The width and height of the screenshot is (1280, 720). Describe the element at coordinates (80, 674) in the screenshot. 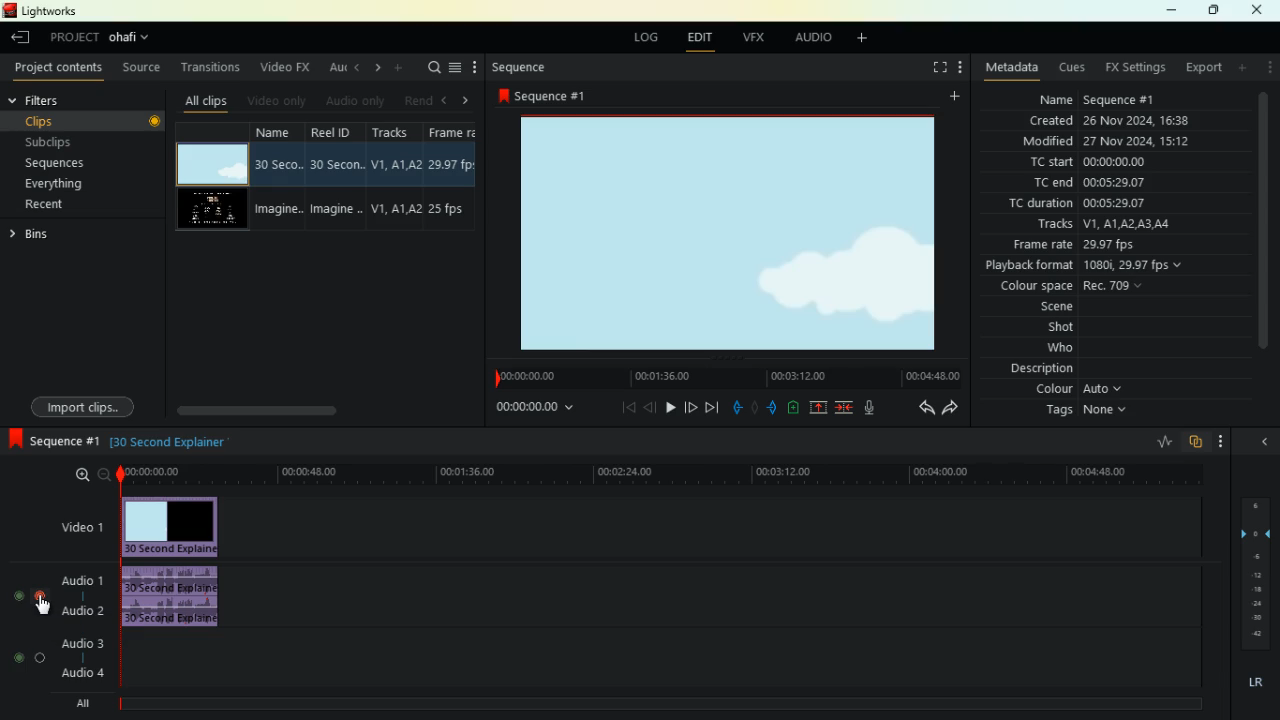

I see `audio 4` at that location.